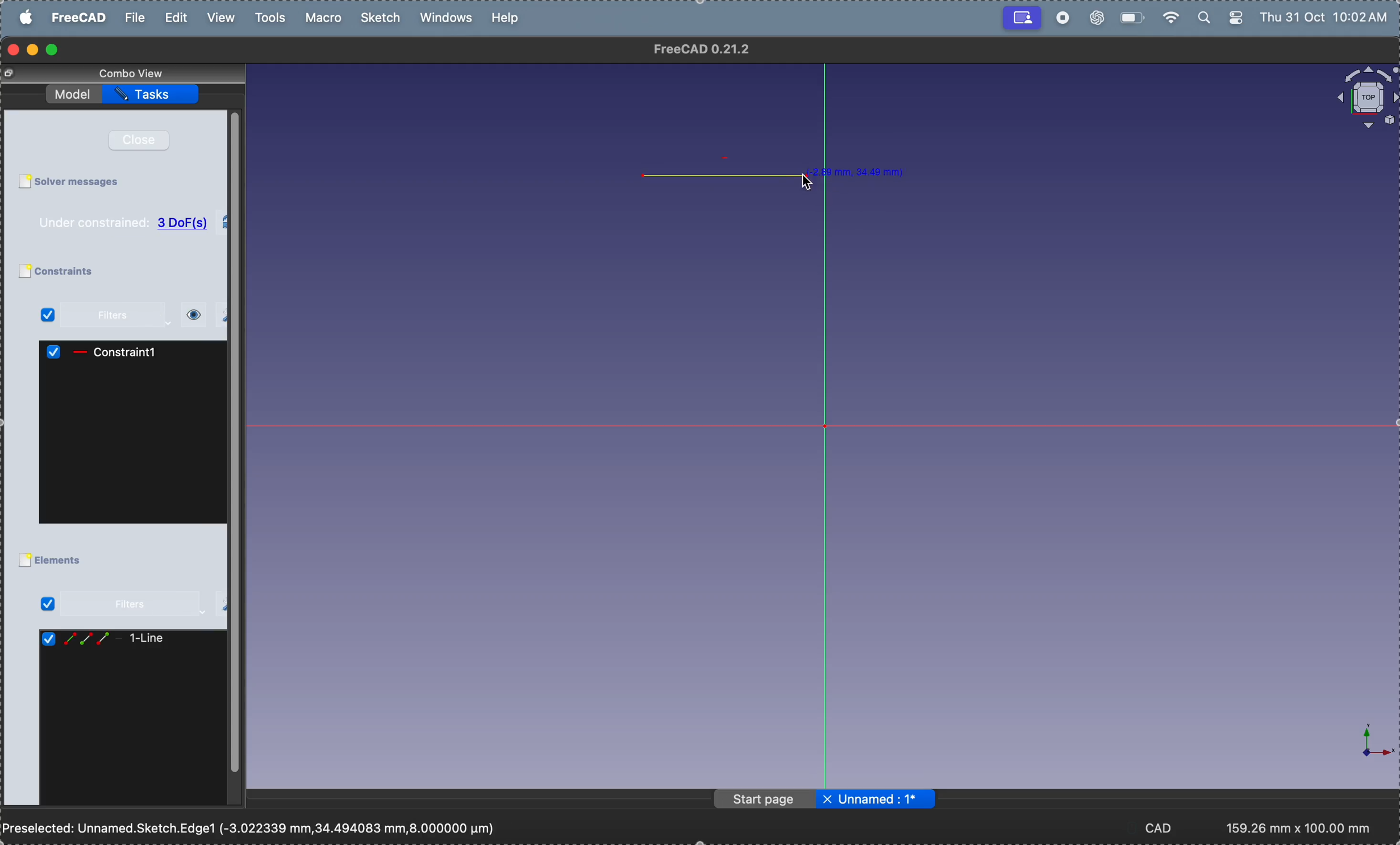 This screenshot has width=1400, height=845. I want to click on Recording, so click(1022, 16).